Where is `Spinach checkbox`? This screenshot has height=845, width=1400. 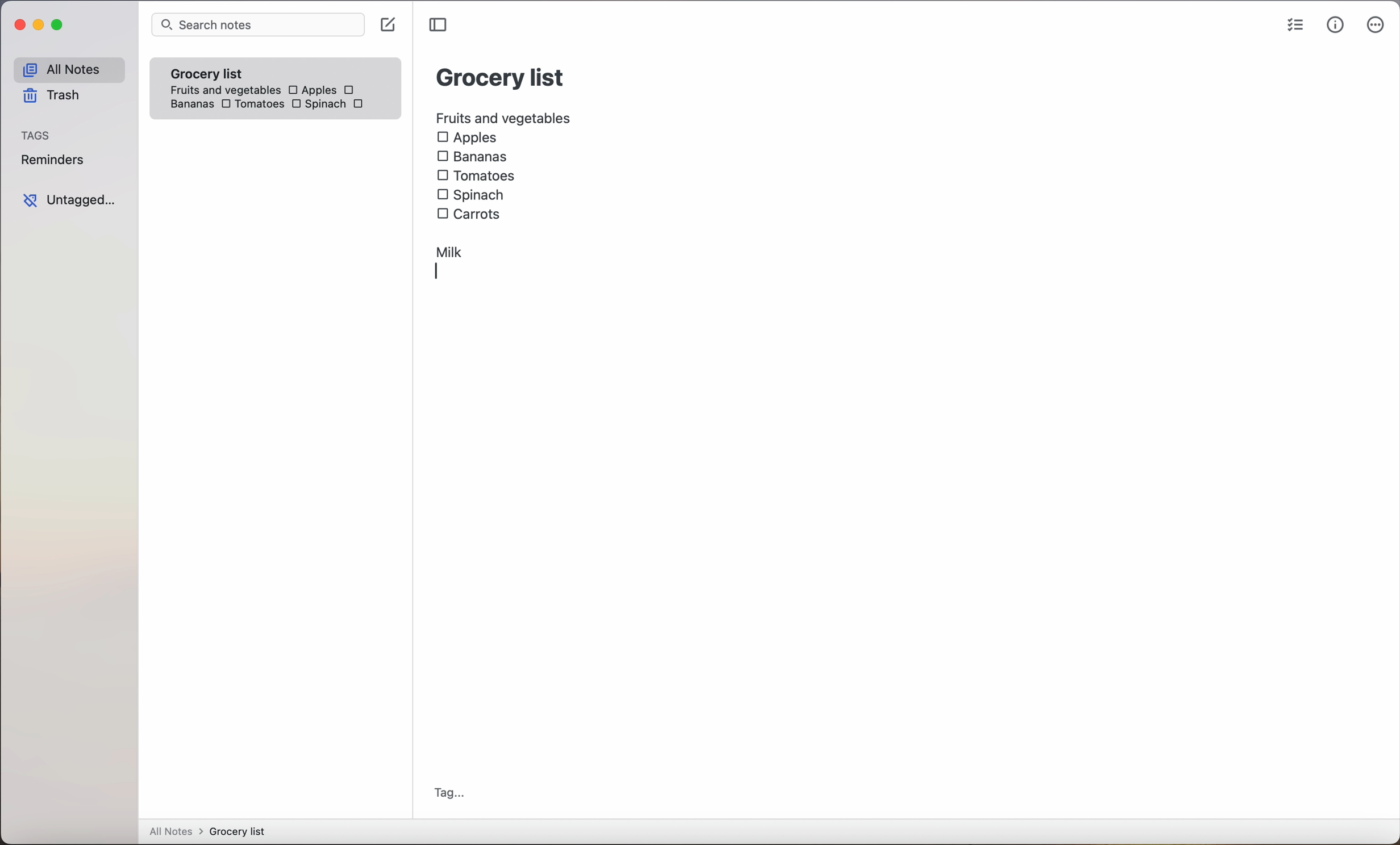
Spinach checkbox is located at coordinates (472, 195).